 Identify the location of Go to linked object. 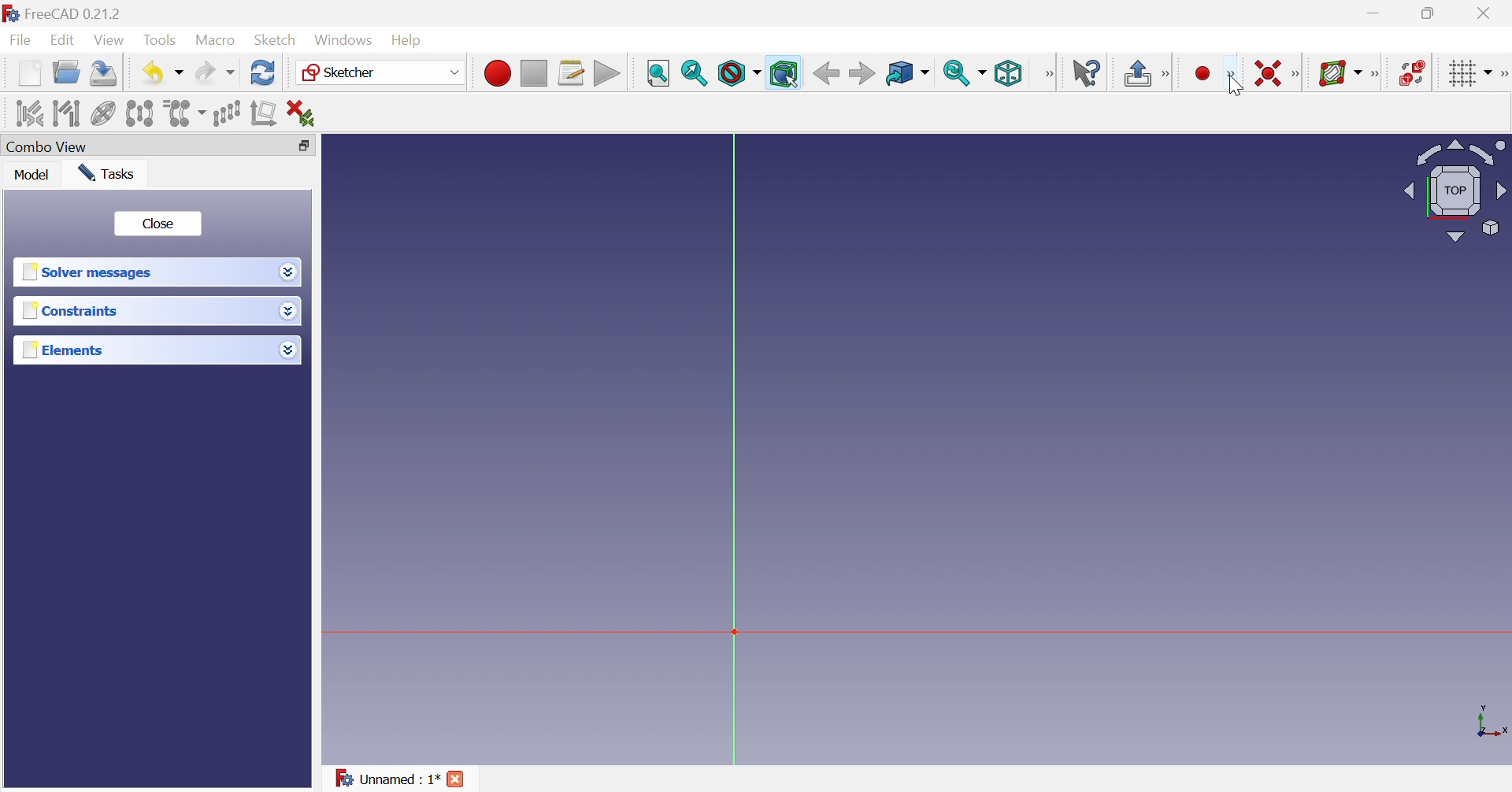
(906, 74).